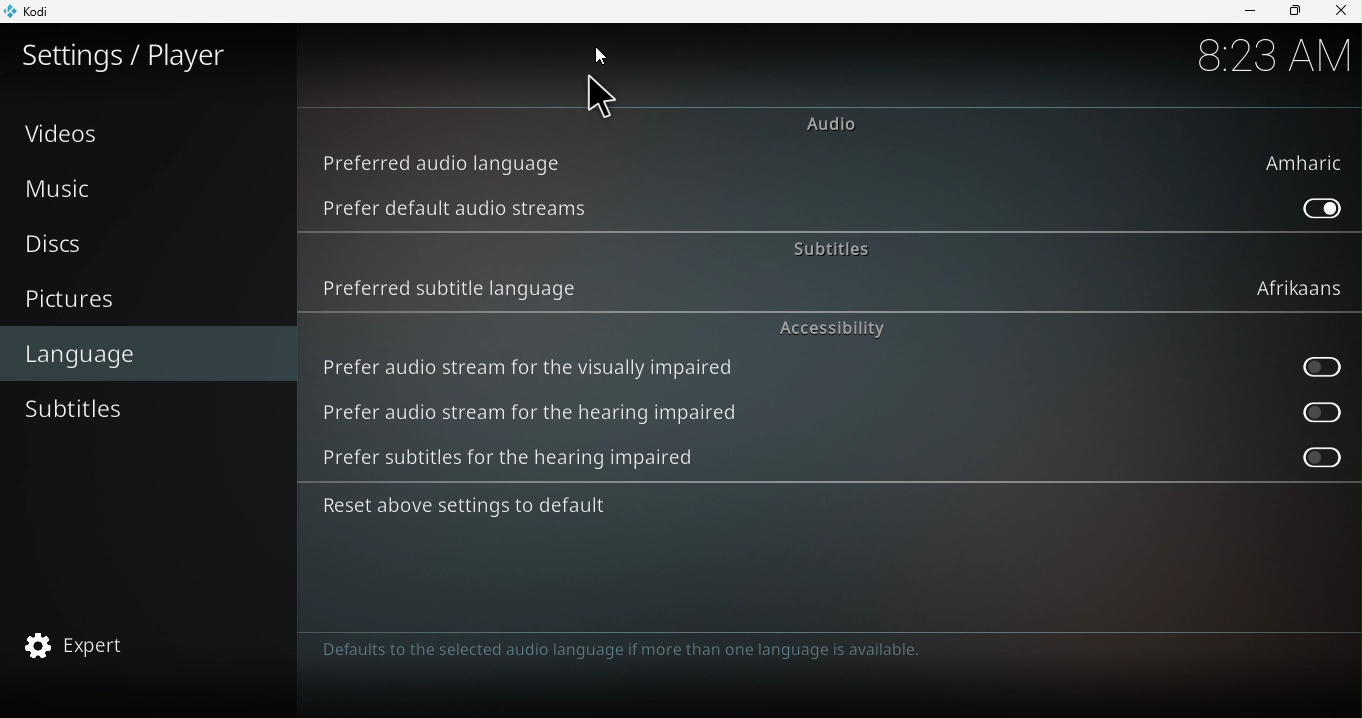 Image resolution: width=1362 pixels, height=718 pixels. What do you see at coordinates (531, 462) in the screenshot?
I see `Prefer subtitles for the hearing impaired` at bounding box center [531, 462].